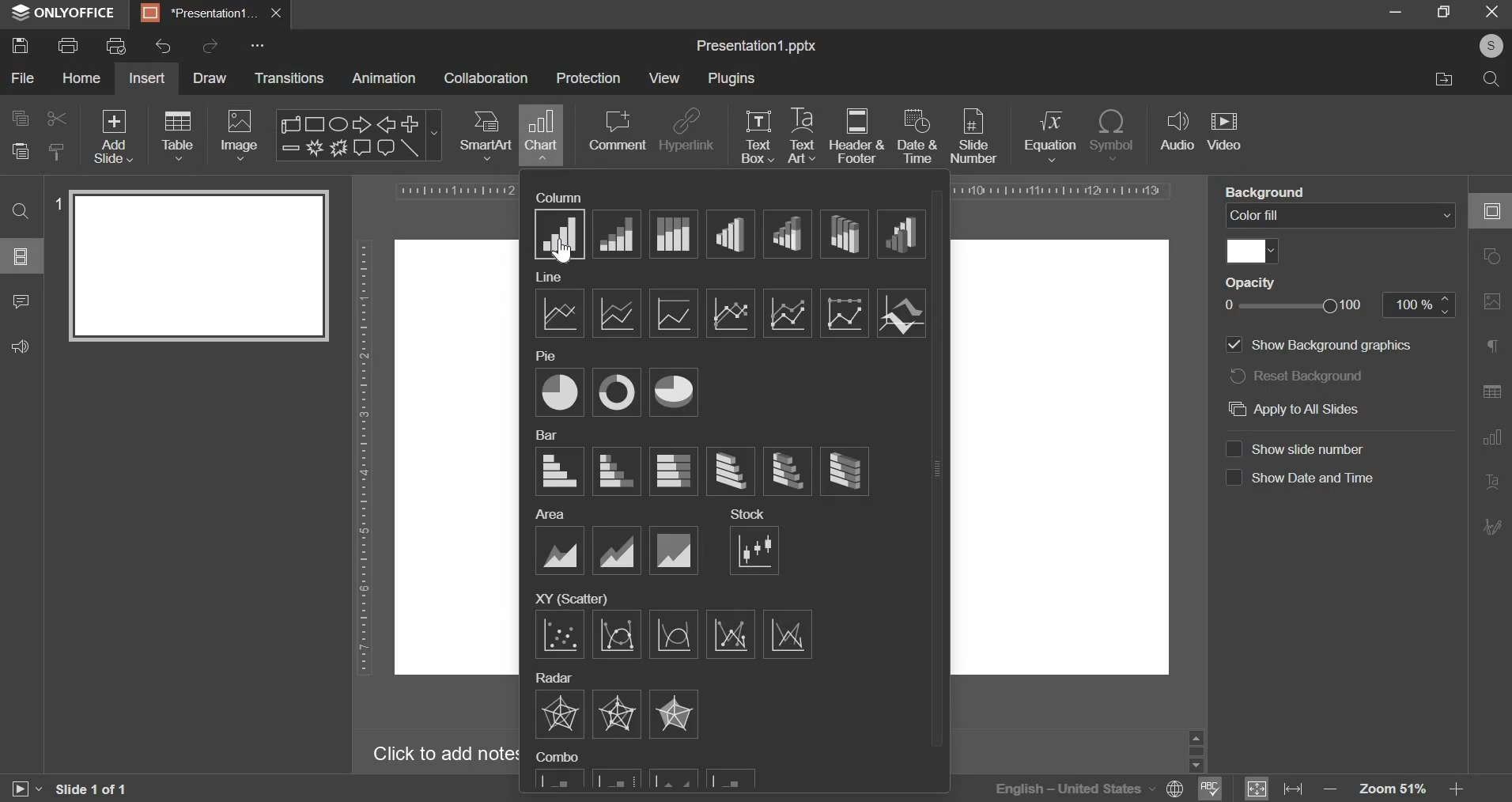 The height and width of the screenshot is (802, 1512). What do you see at coordinates (1492, 79) in the screenshot?
I see `search` at bounding box center [1492, 79].